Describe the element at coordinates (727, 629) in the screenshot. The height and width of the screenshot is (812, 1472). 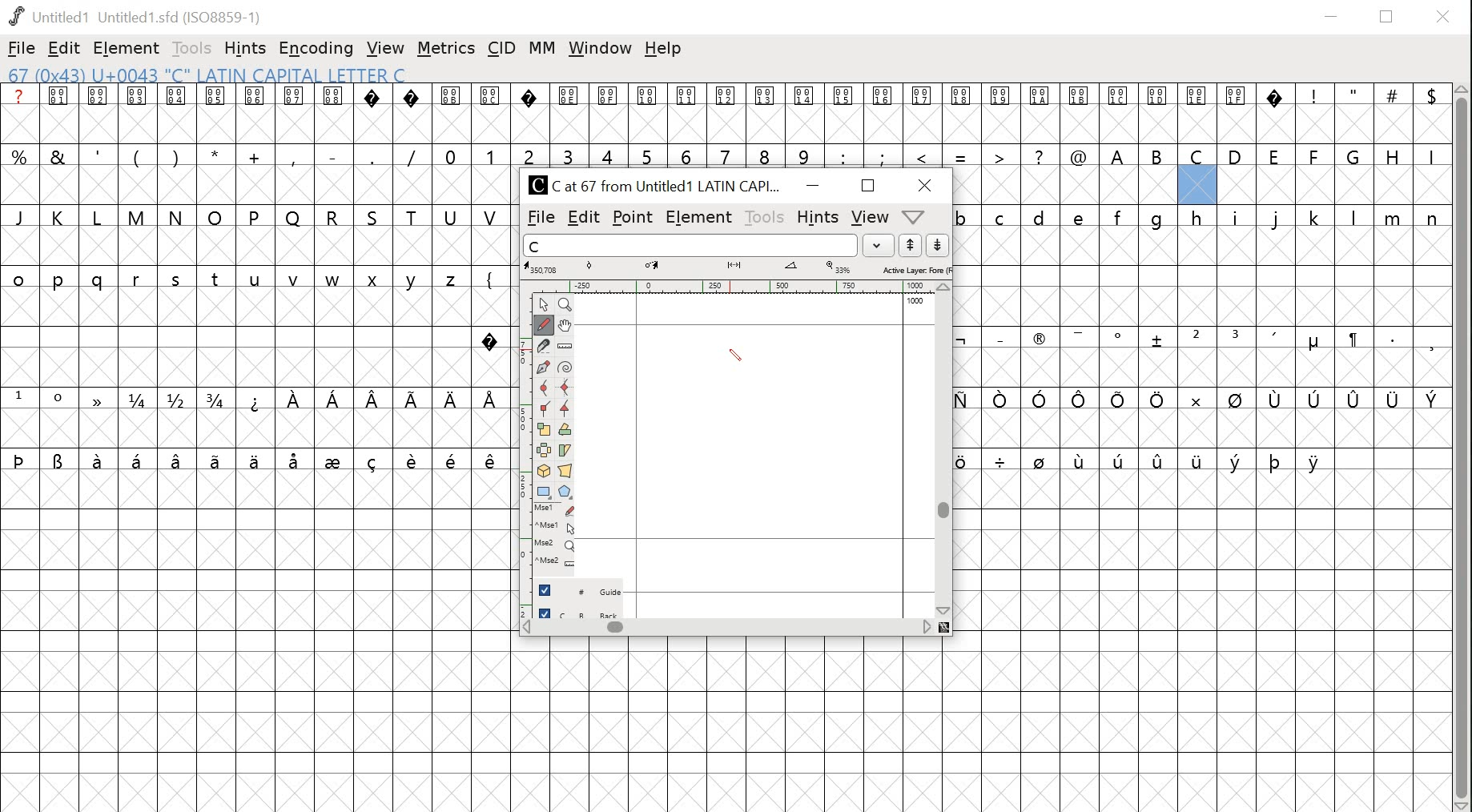
I see `scrollbar` at that location.